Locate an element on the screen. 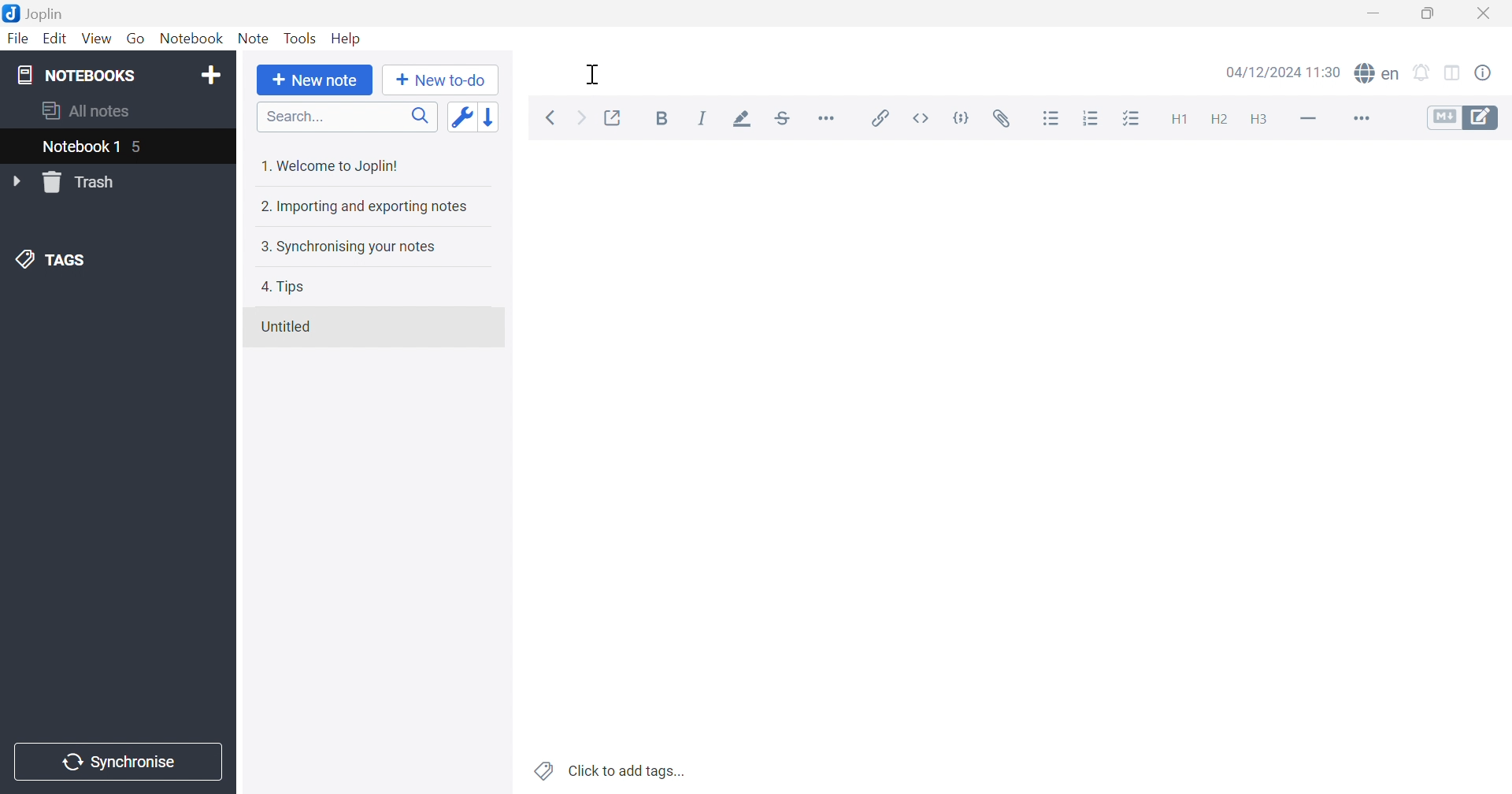 The width and height of the screenshot is (1512, 794). New note is located at coordinates (316, 80).